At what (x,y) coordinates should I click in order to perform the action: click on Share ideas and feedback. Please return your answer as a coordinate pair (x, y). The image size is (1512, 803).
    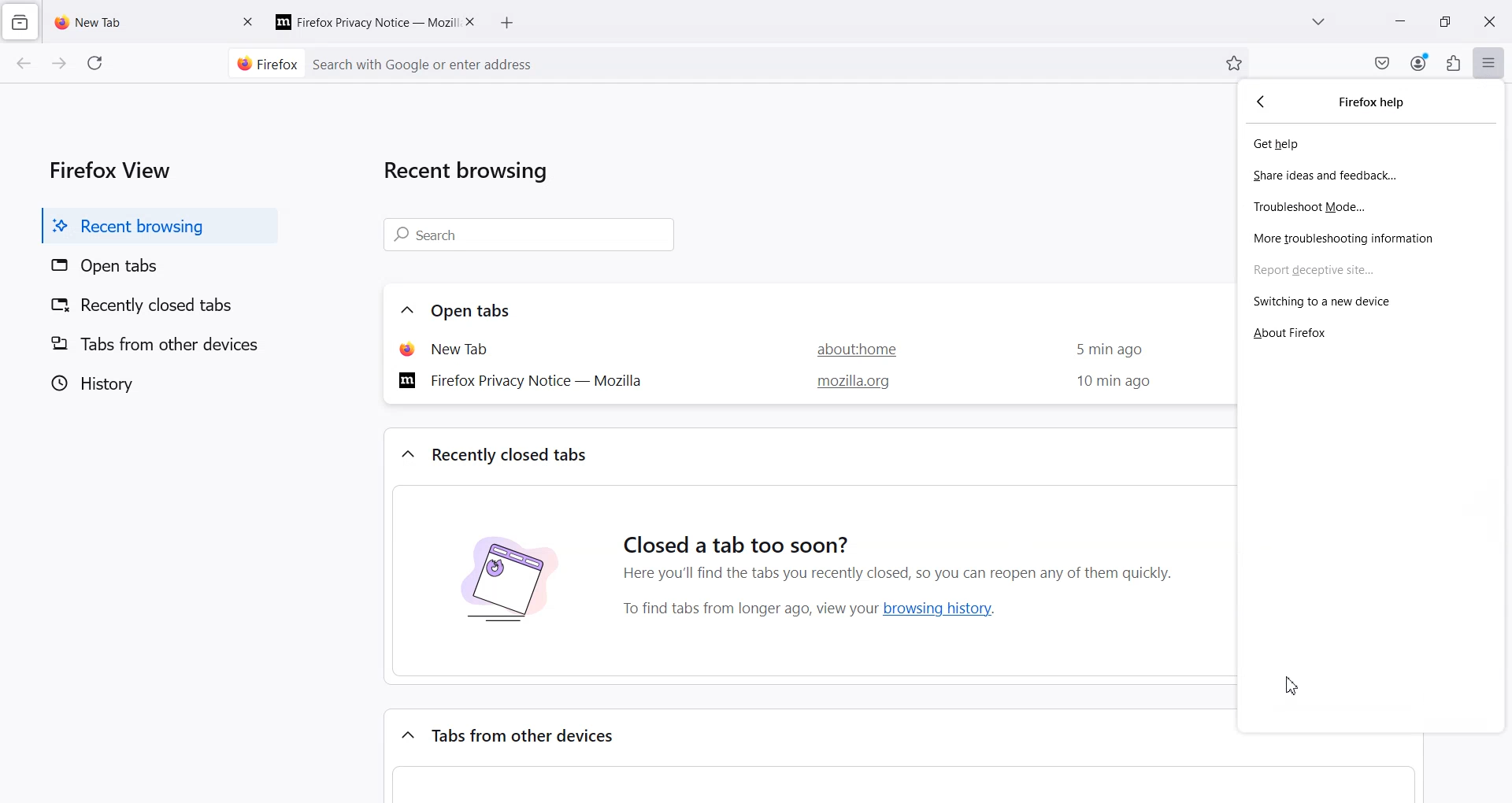
    Looking at the image, I should click on (1369, 176).